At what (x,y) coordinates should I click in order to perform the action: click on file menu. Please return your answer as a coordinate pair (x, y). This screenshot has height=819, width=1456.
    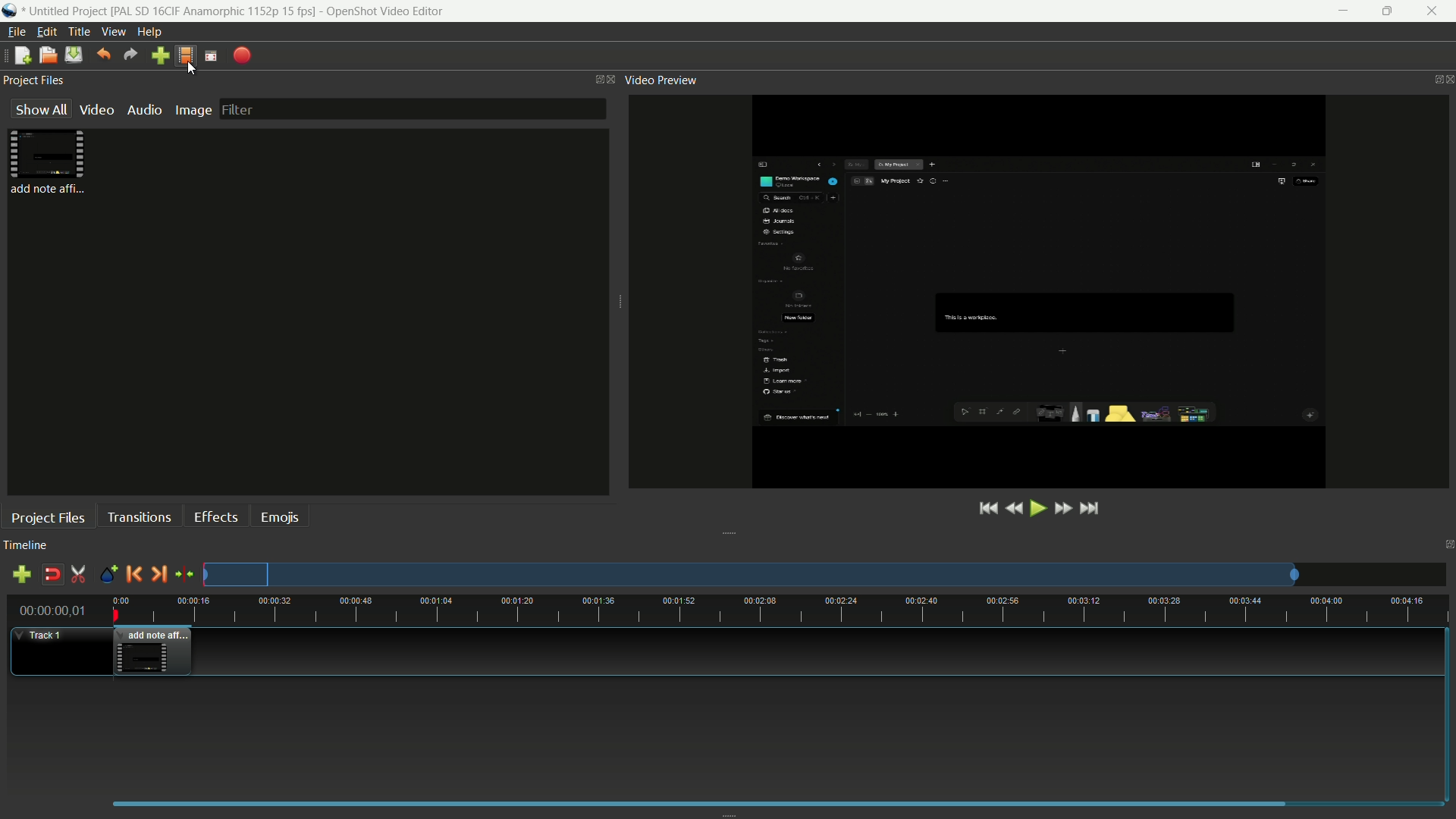
    Looking at the image, I should click on (14, 33).